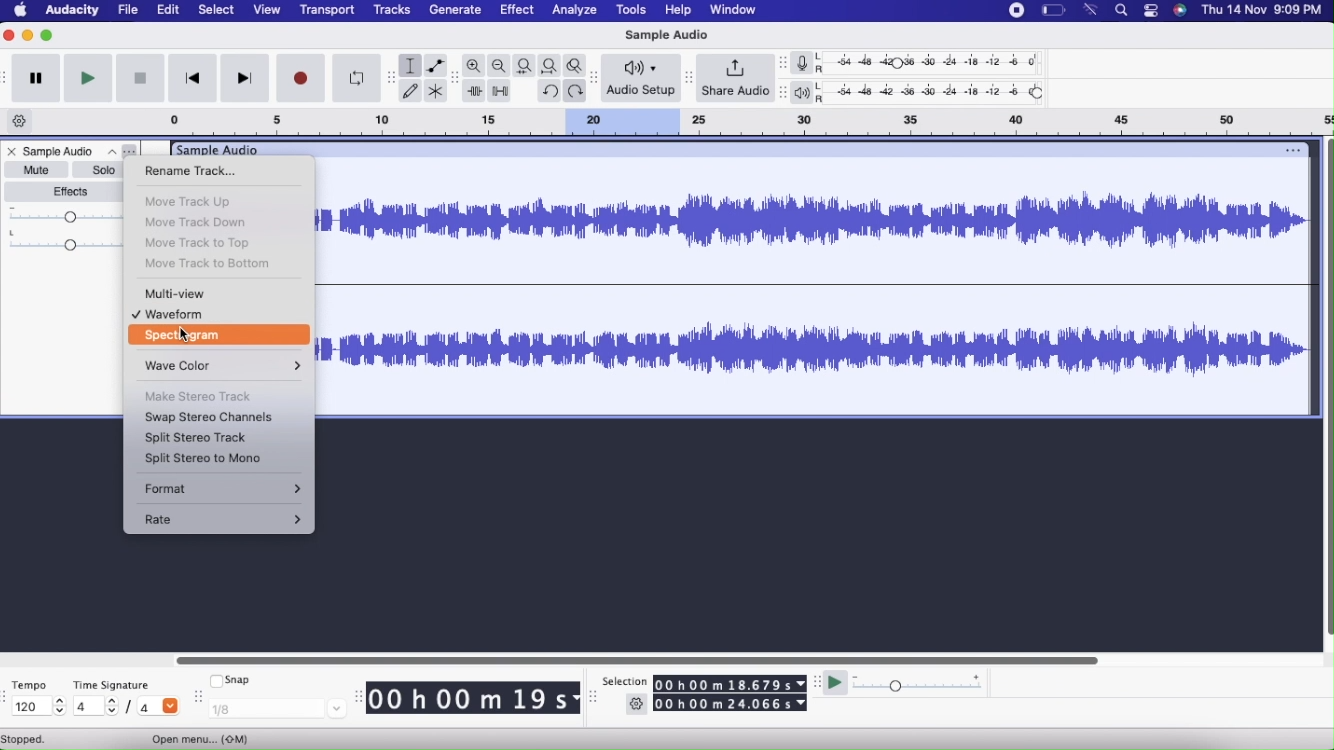  What do you see at coordinates (525, 65) in the screenshot?
I see `Fit selection to width` at bounding box center [525, 65].